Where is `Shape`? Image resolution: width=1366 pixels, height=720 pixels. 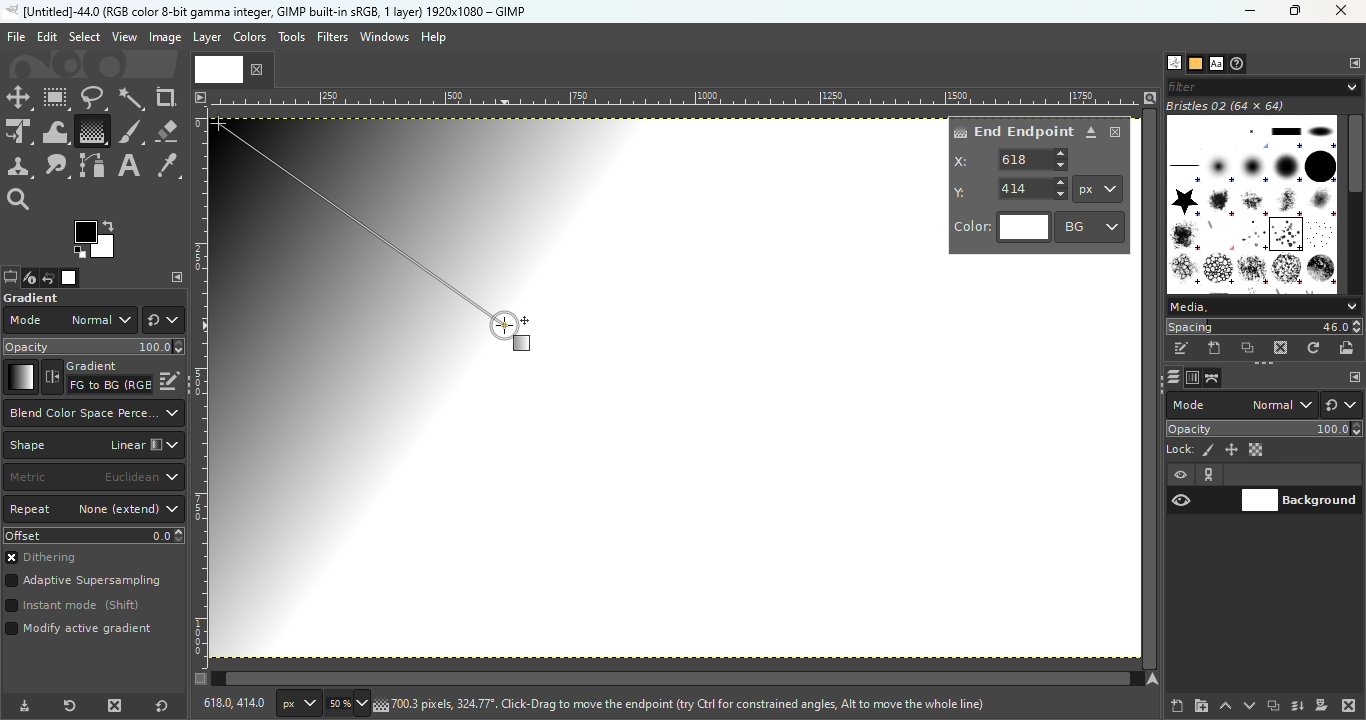
Shape is located at coordinates (93, 445).